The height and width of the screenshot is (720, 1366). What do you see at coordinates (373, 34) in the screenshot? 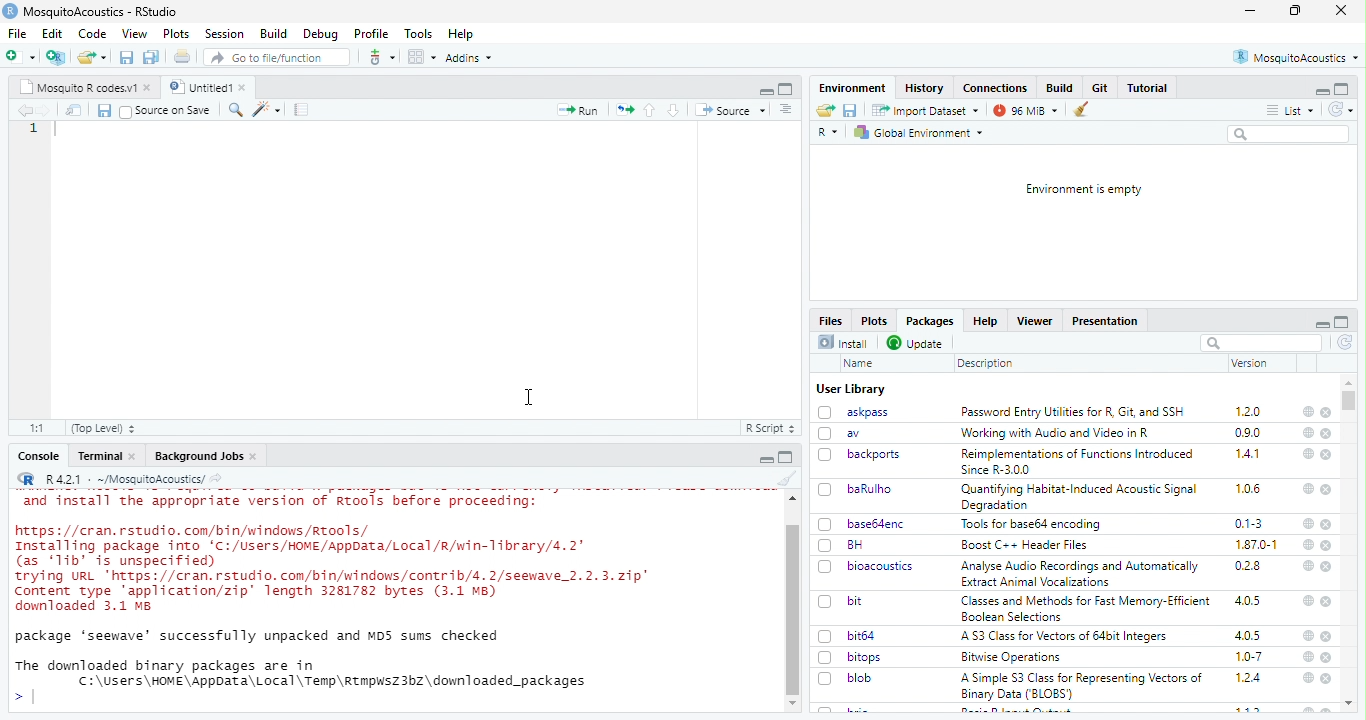
I see `Profile` at bounding box center [373, 34].